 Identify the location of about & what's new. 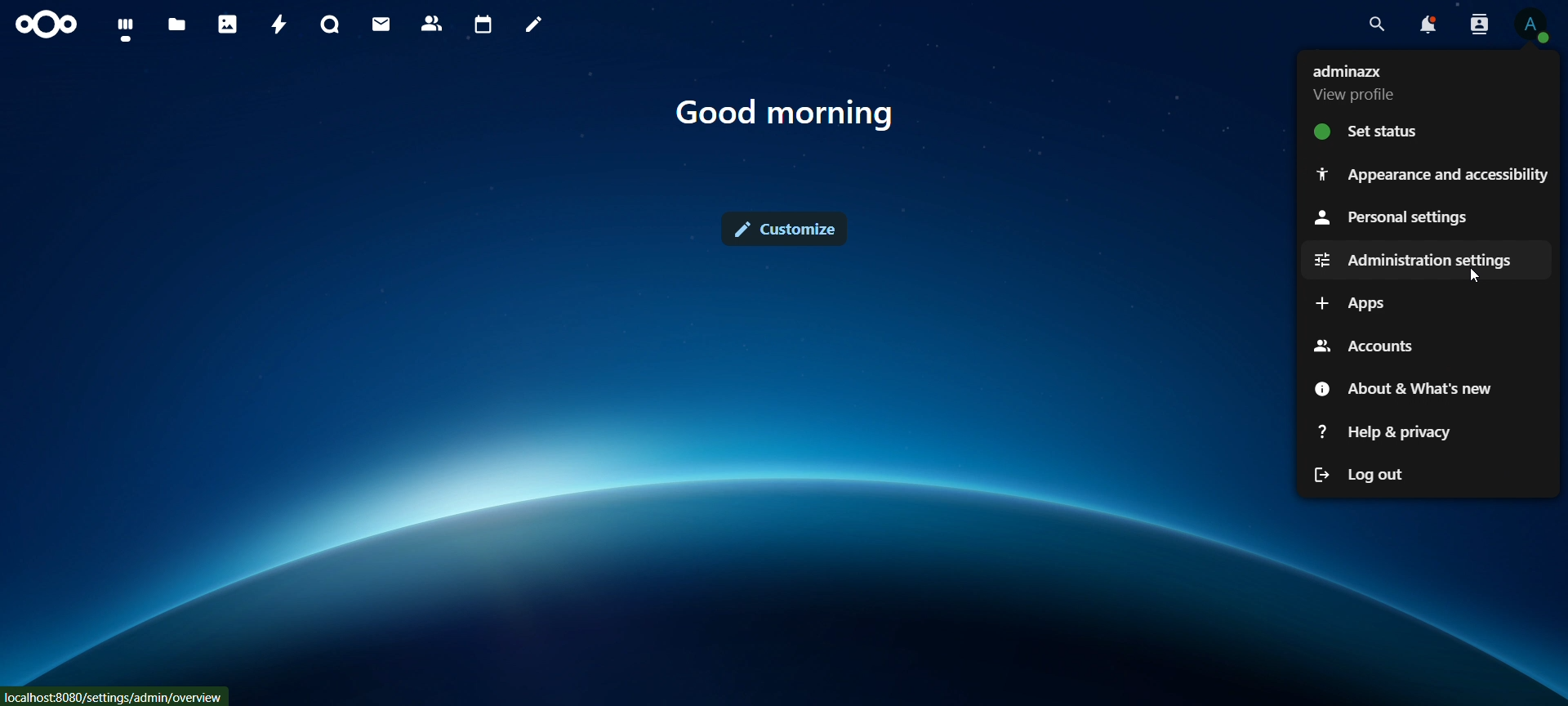
(1410, 388).